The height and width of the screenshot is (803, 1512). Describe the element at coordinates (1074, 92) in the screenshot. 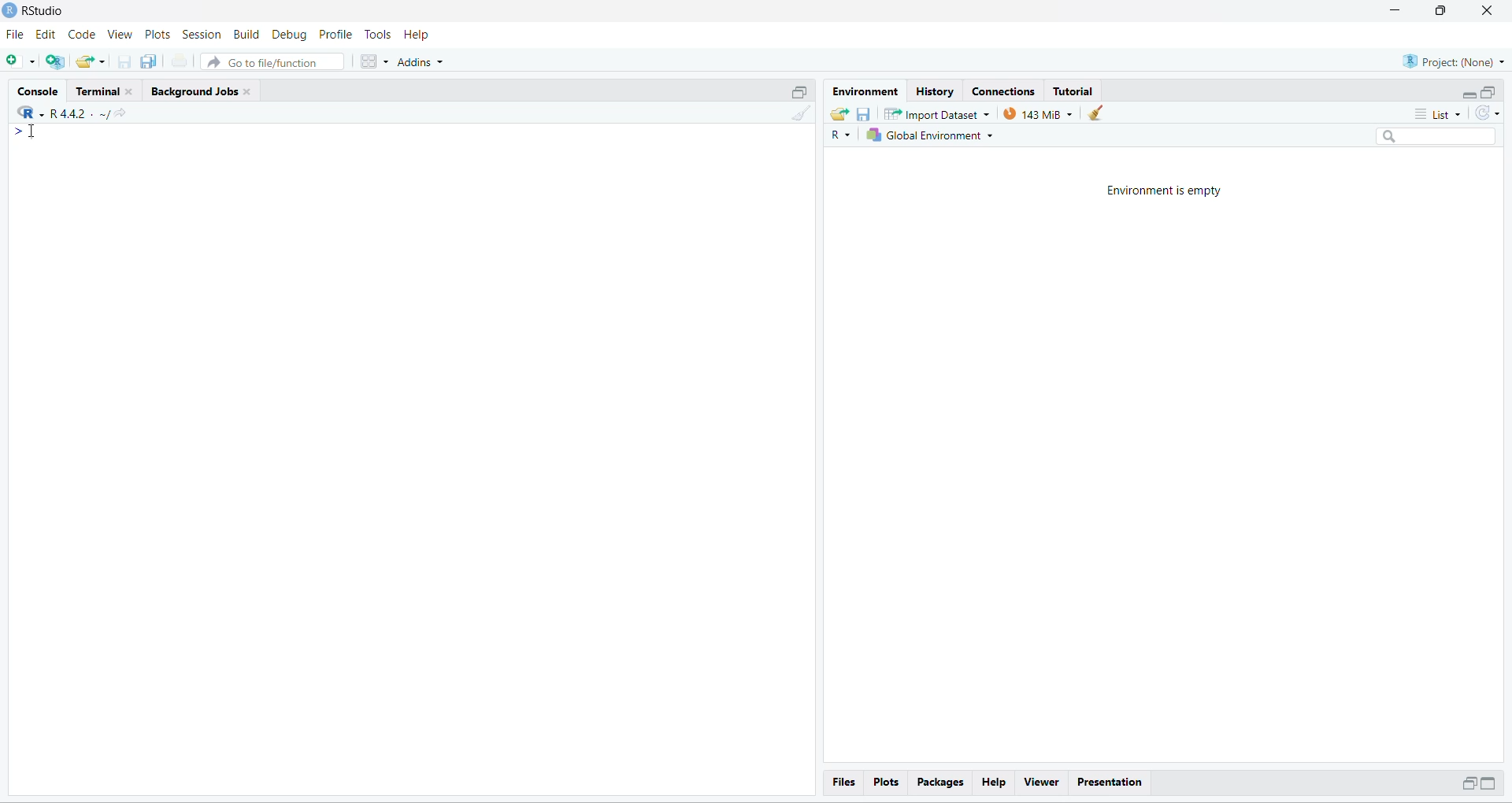

I see `tutorial` at that location.